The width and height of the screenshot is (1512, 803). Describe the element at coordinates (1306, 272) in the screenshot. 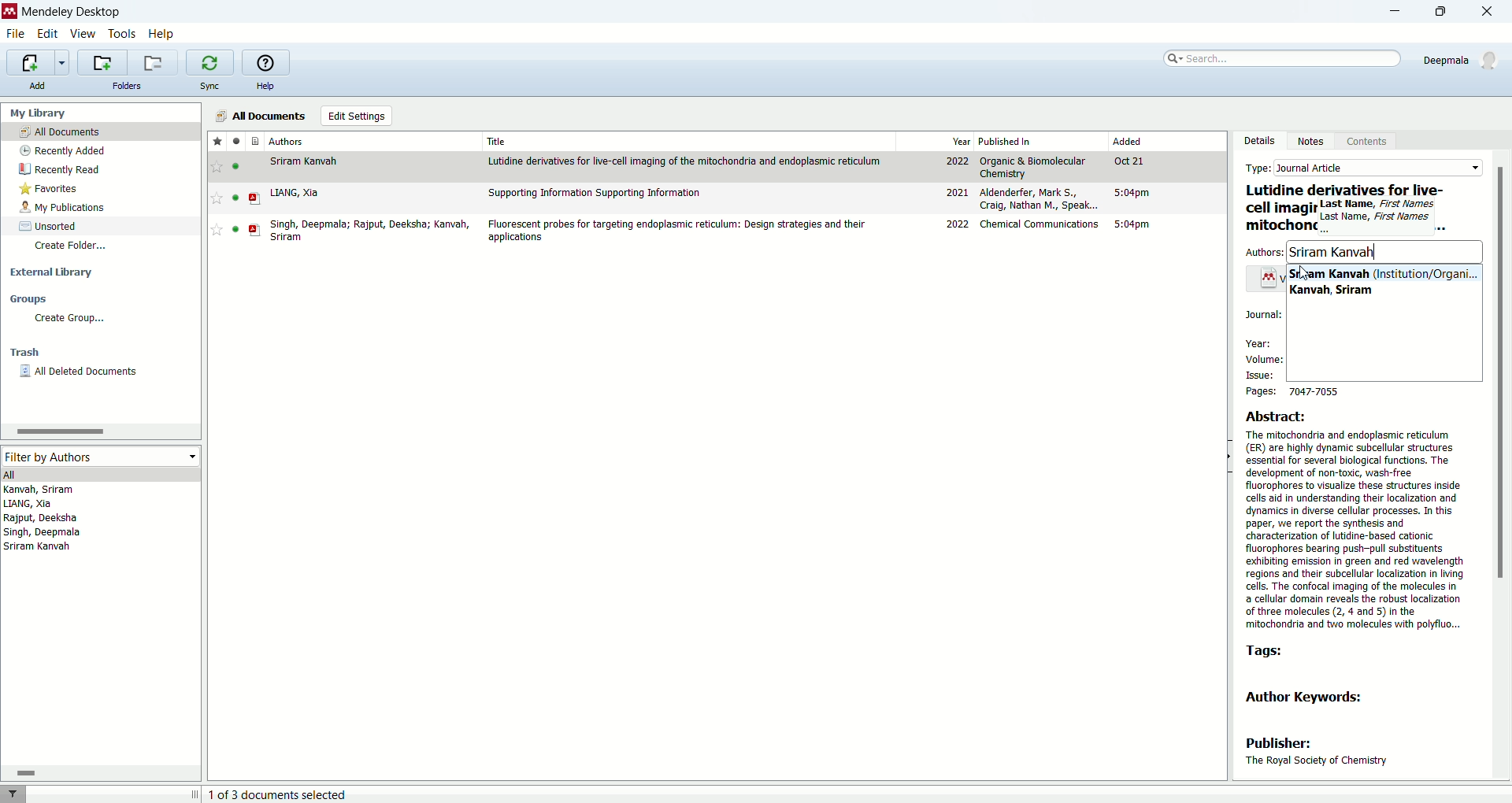

I see `Cursor` at that location.